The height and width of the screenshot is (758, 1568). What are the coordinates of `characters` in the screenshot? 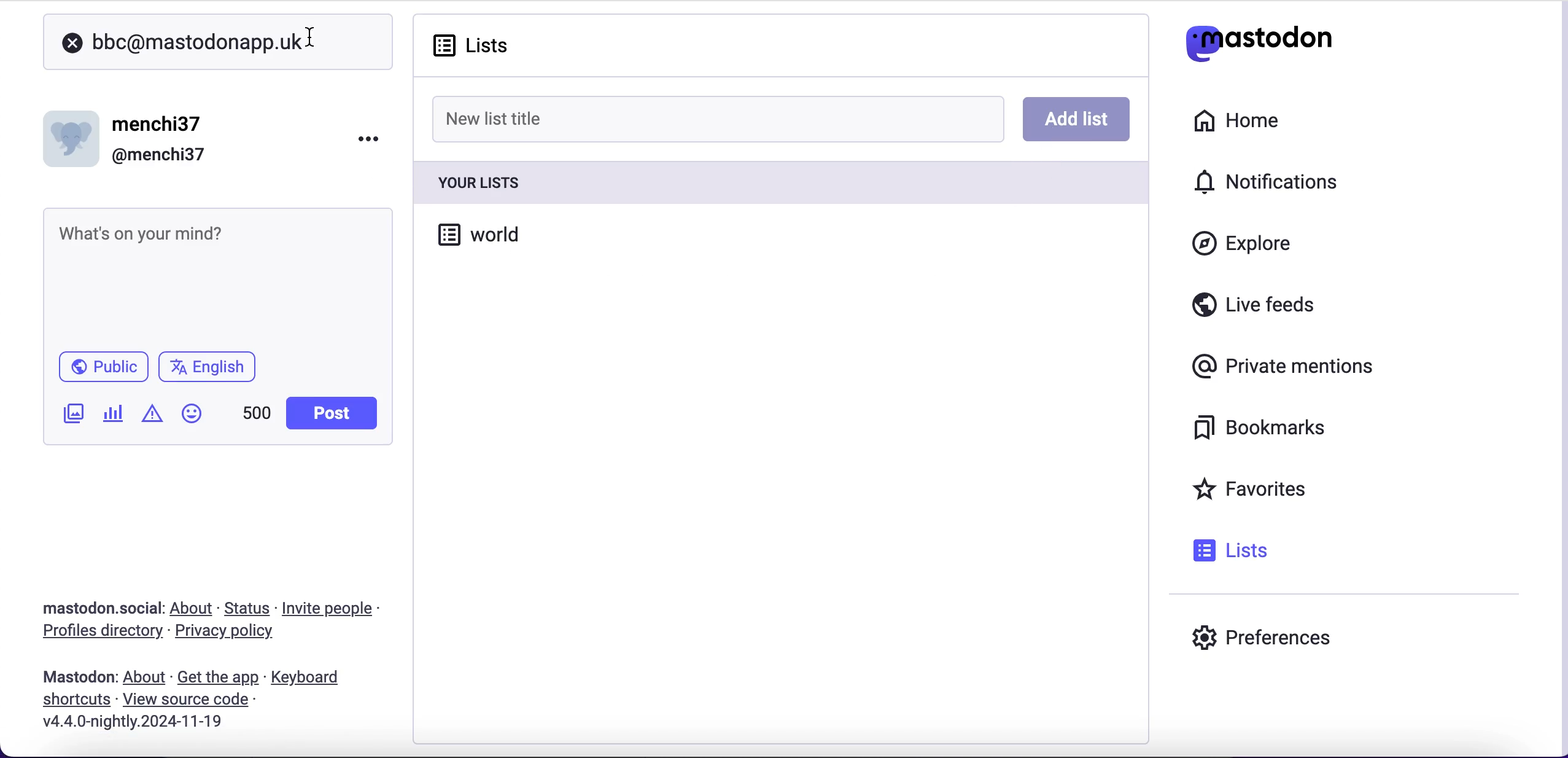 It's located at (257, 415).